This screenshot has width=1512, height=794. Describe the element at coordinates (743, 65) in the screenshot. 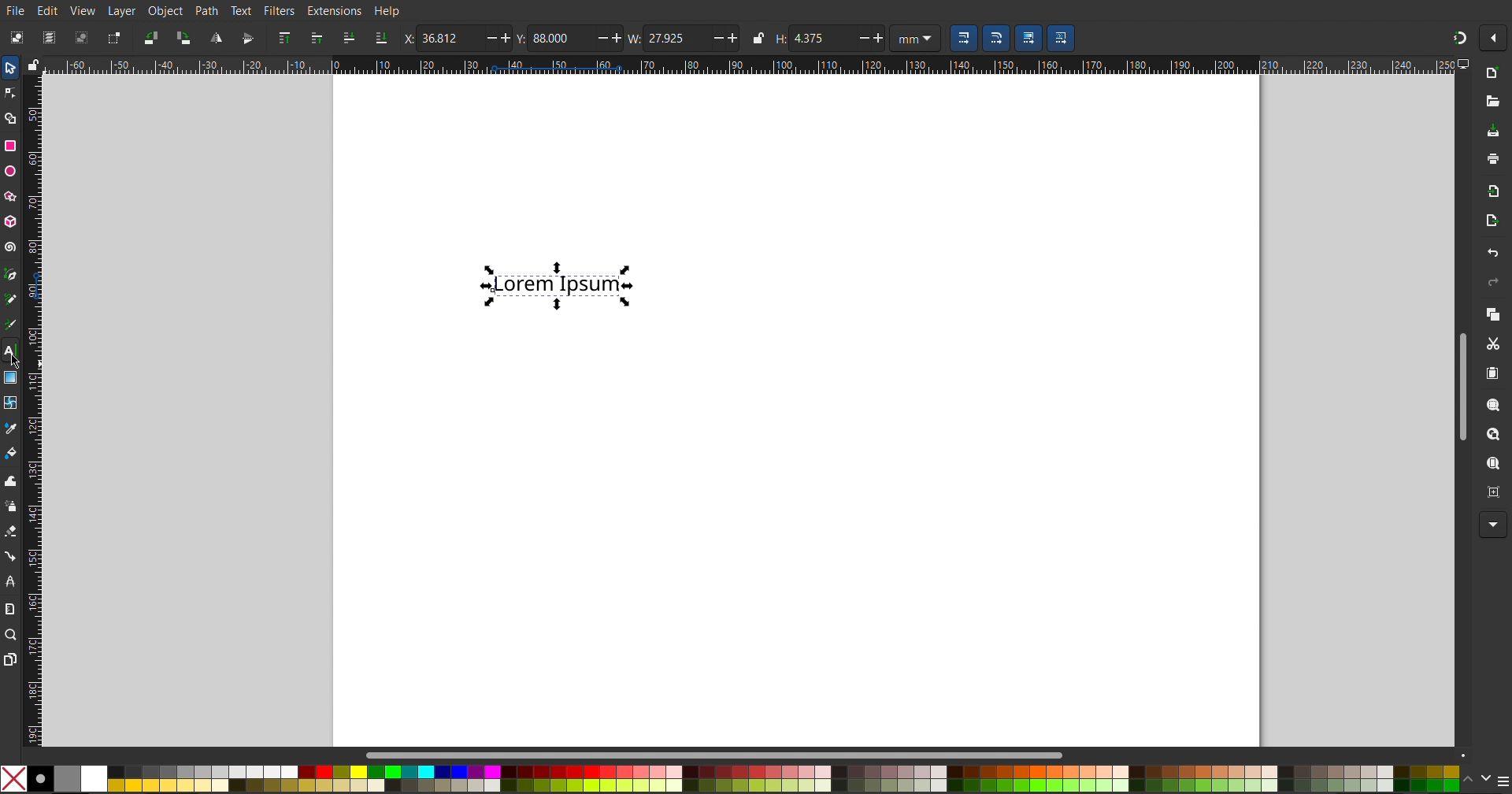

I see `Horizontal Ruler` at that location.